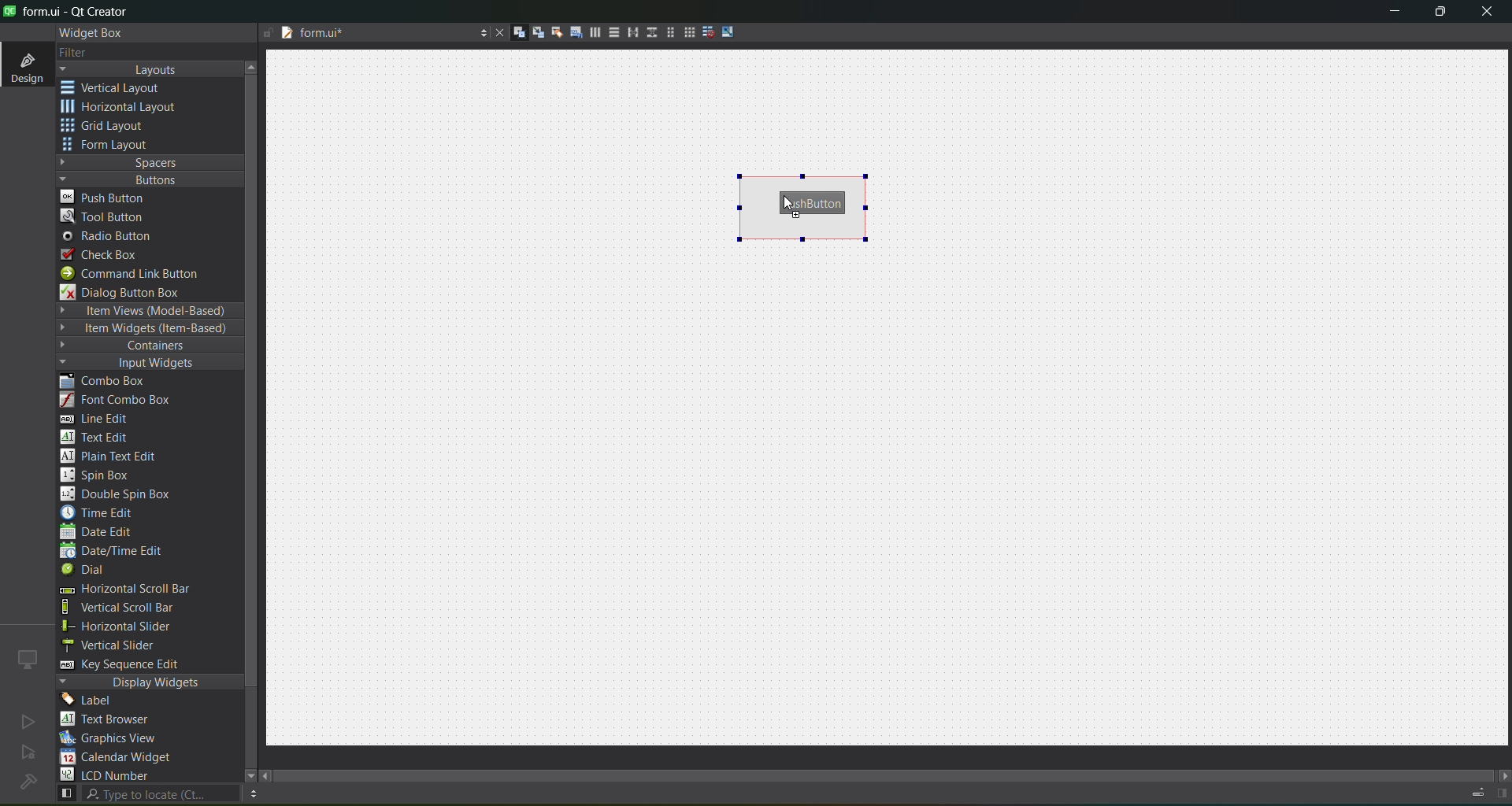 The image size is (1512, 806). Describe the element at coordinates (513, 33) in the screenshot. I see `edit widgets` at that location.